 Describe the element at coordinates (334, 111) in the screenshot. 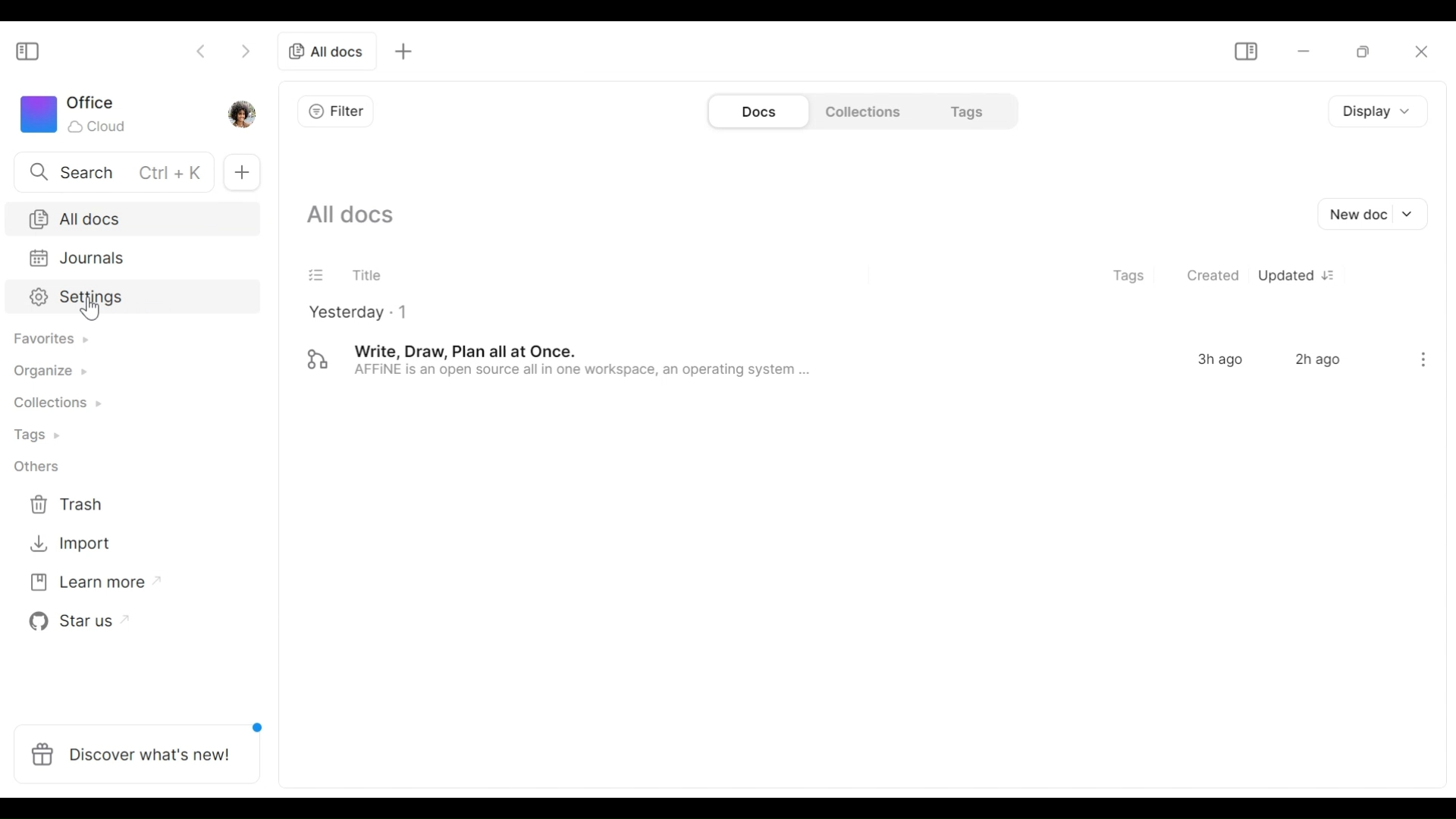

I see `Filter` at that location.